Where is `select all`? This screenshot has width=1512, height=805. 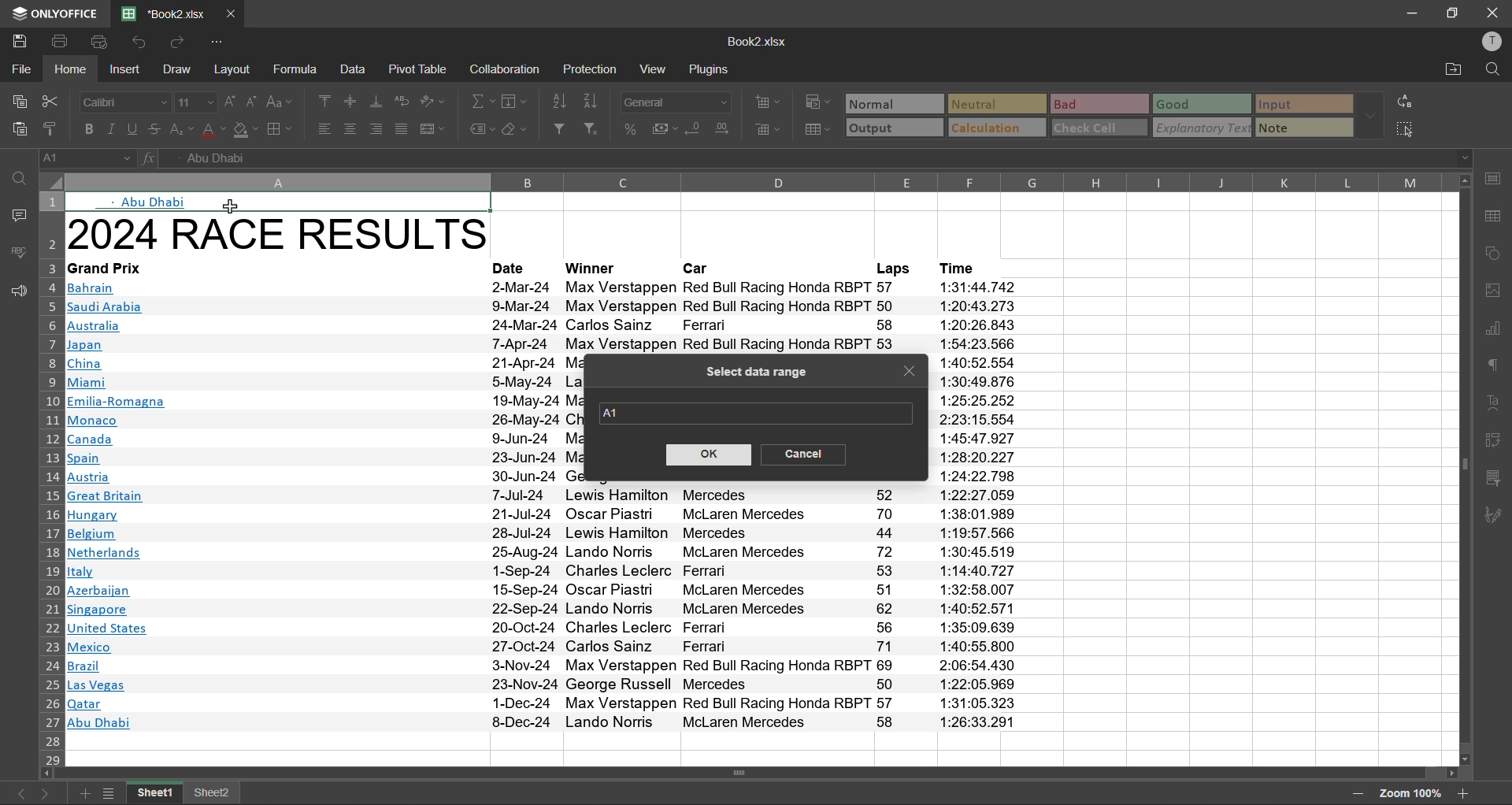
select all is located at coordinates (1414, 132).